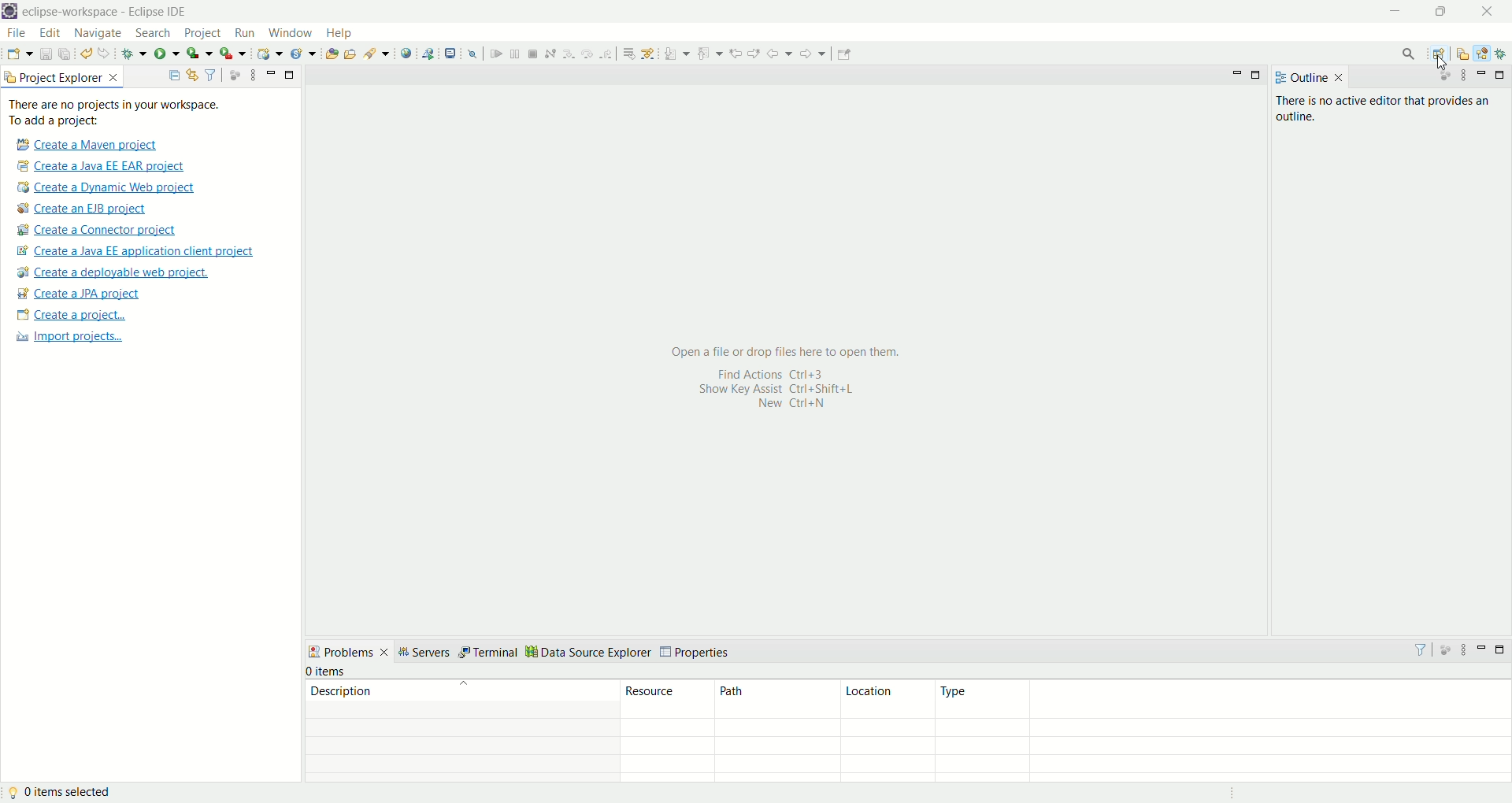 This screenshot has height=803, width=1512. Describe the element at coordinates (550, 53) in the screenshot. I see `disconnect` at that location.